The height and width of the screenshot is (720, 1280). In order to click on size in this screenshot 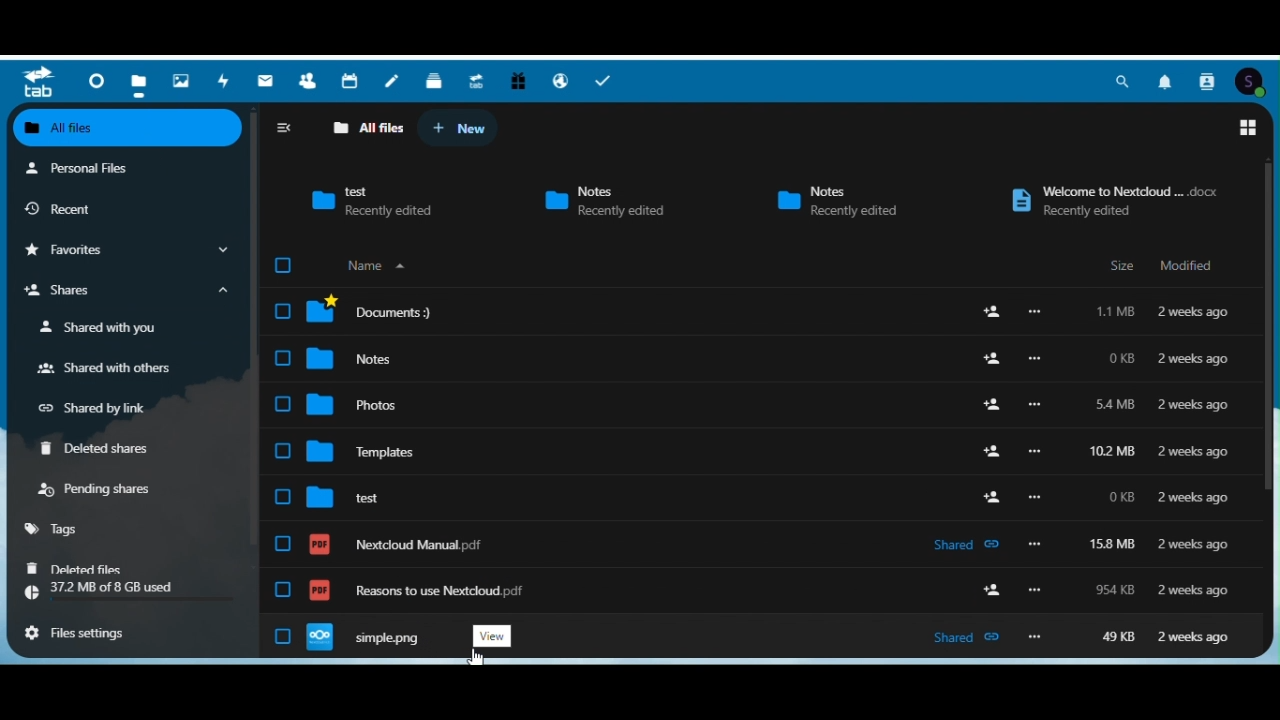, I will do `click(1115, 589)`.